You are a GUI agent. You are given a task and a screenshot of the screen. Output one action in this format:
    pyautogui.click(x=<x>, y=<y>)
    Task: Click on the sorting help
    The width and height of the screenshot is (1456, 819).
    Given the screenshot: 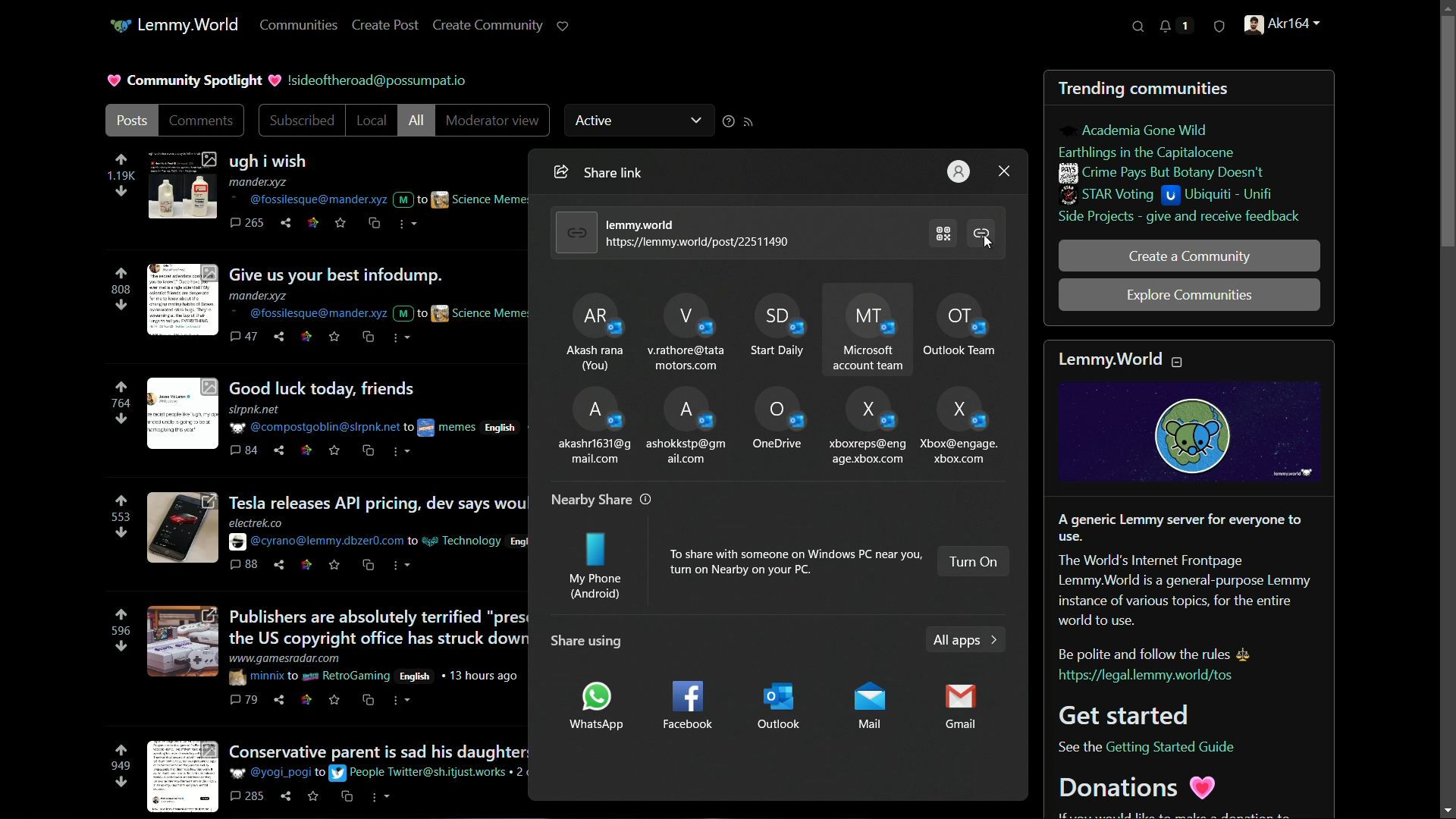 What is the action you would take?
    pyautogui.click(x=726, y=123)
    